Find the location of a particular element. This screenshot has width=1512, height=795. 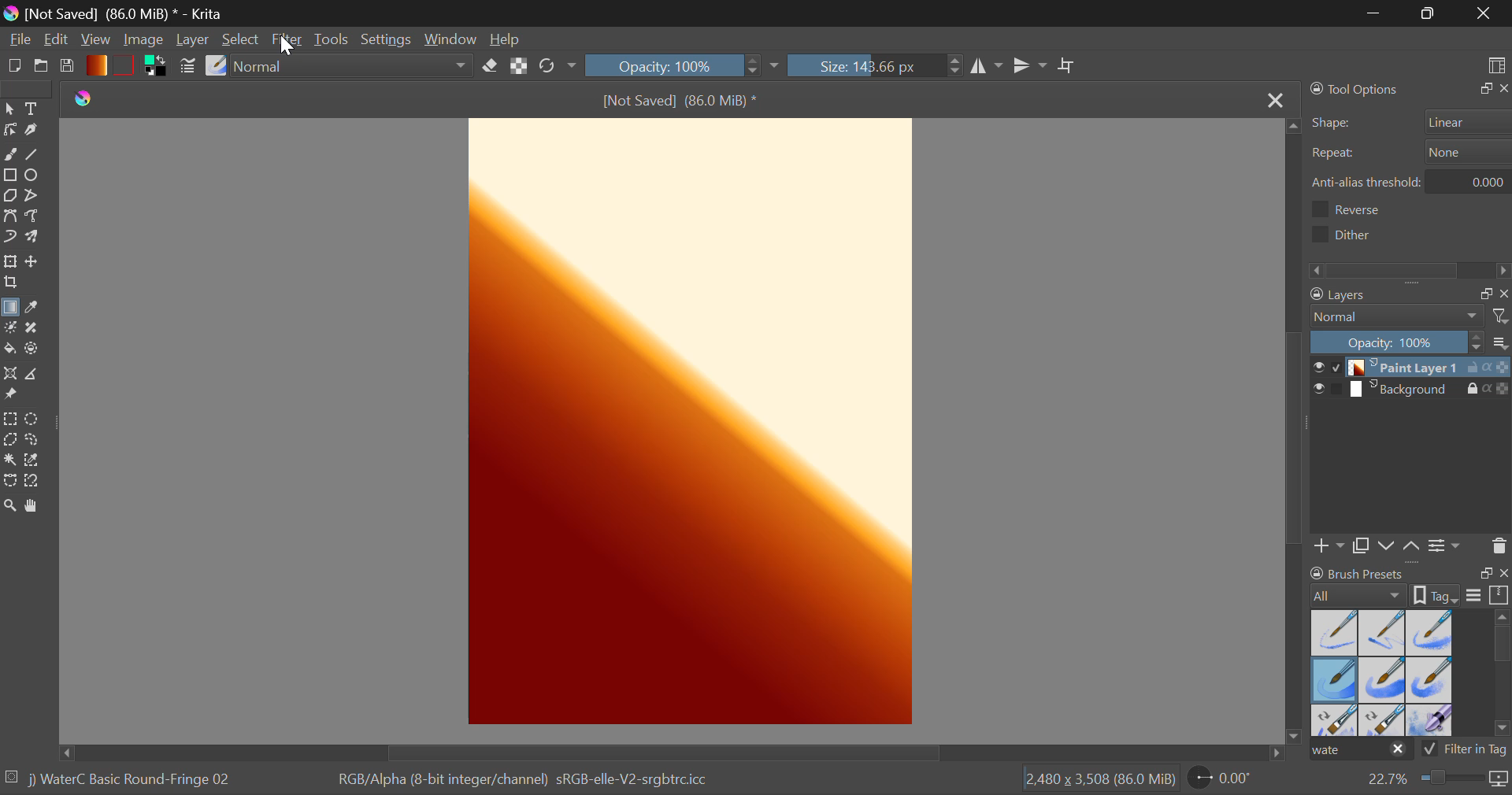

Dynamic Brush is located at coordinates (9, 236).